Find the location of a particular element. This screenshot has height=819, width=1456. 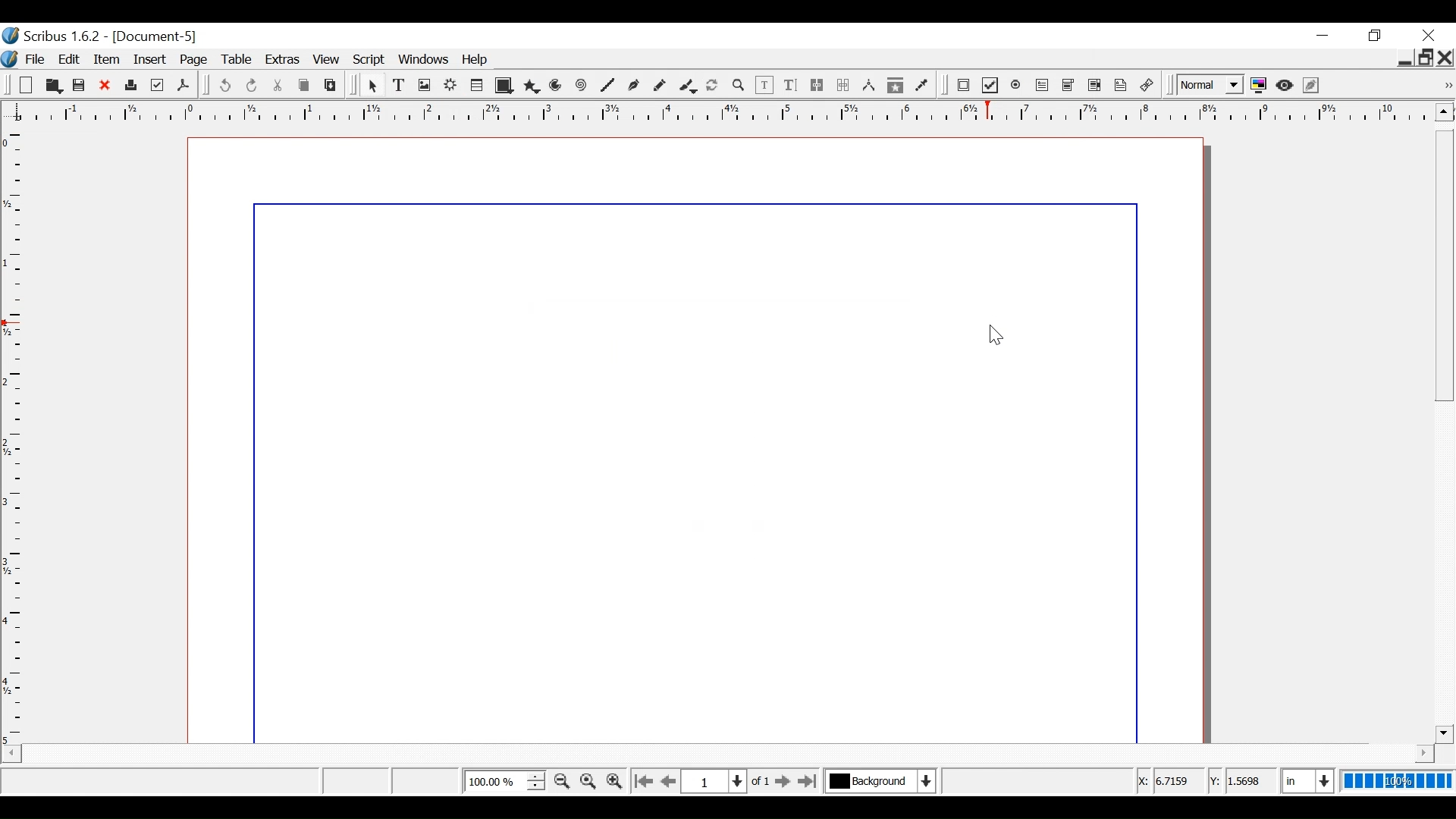

Go to the next page is located at coordinates (784, 782).